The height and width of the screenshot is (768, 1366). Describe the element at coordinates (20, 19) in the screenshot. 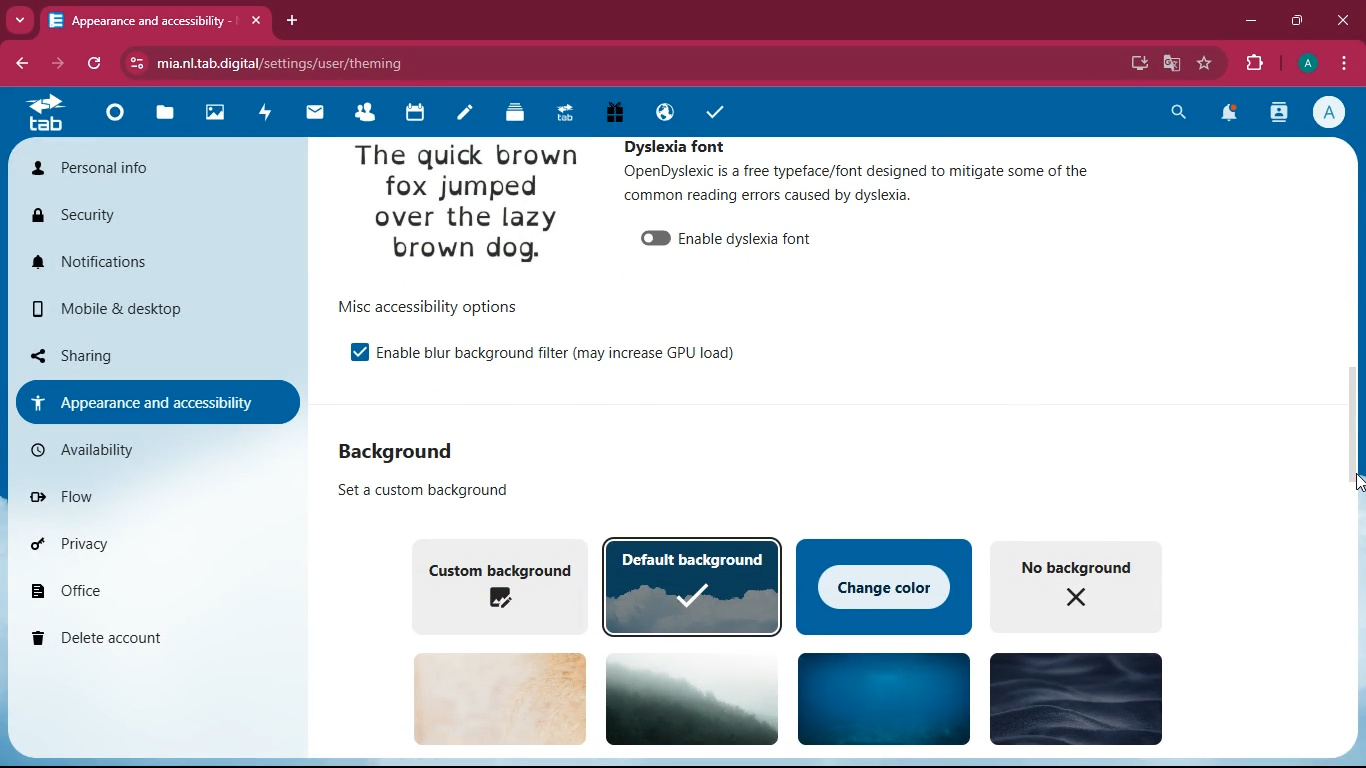

I see `more` at that location.